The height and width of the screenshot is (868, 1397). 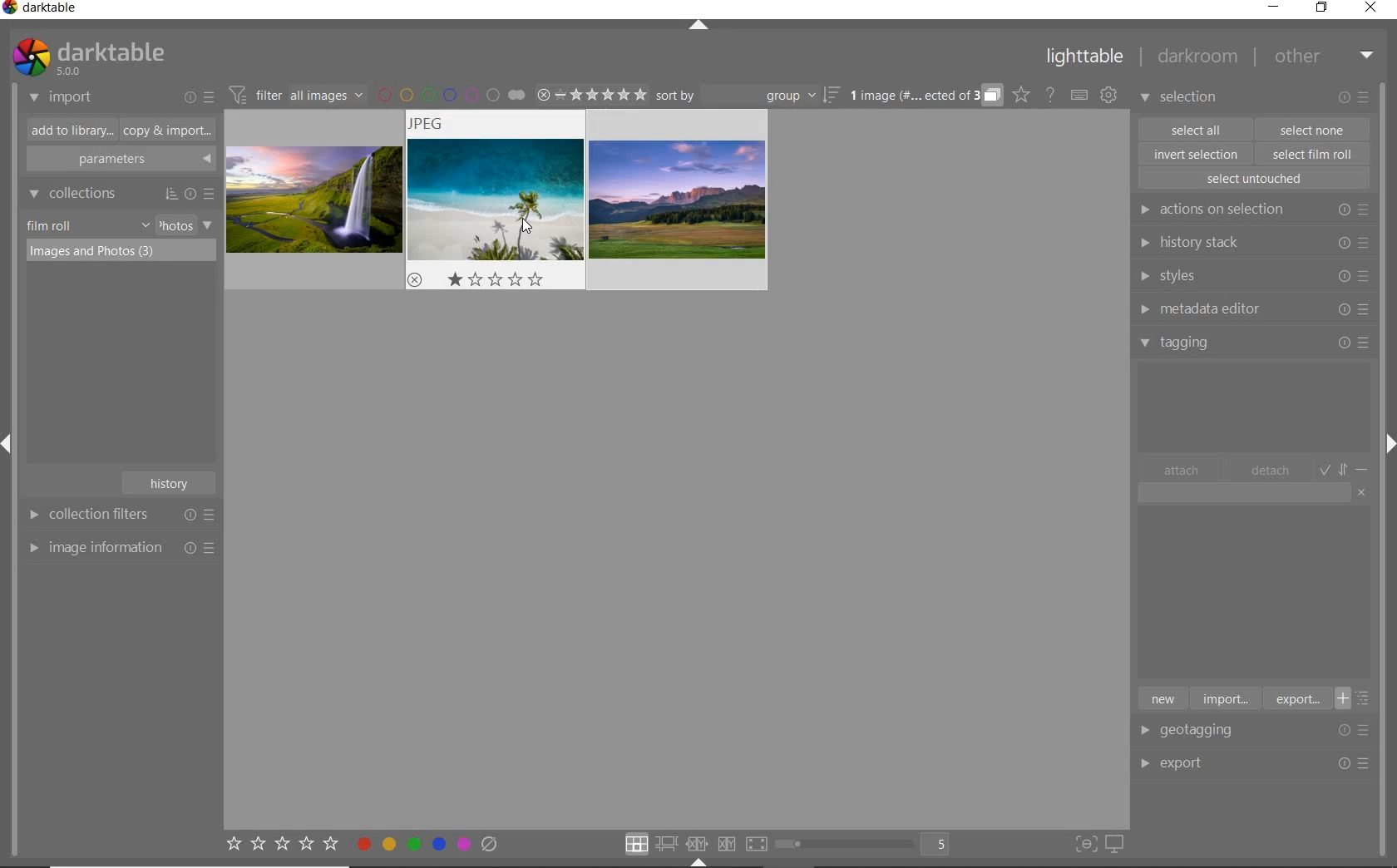 What do you see at coordinates (1358, 698) in the screenshot?
I see `toggle list` at bounding box center [1358, 698].